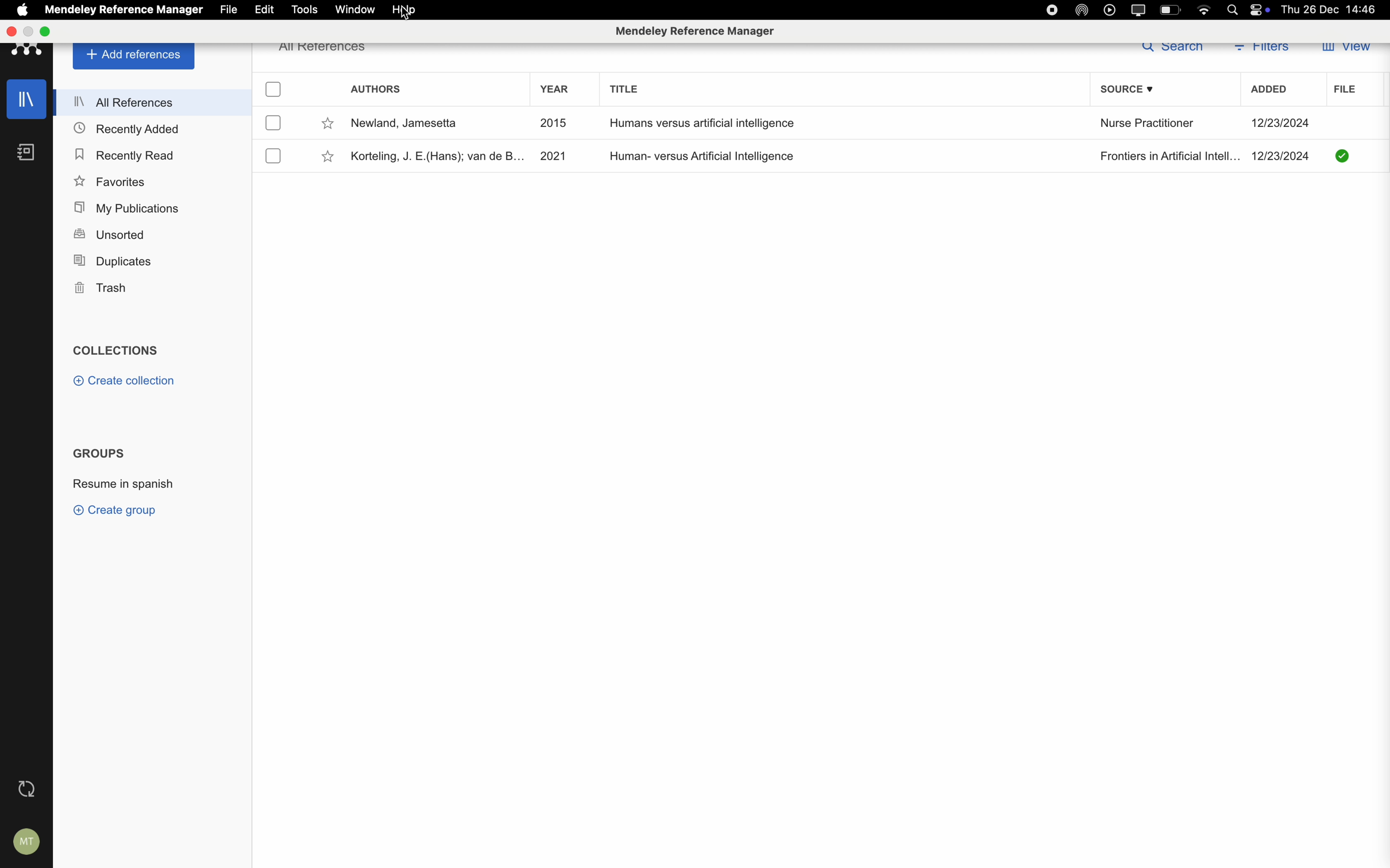 This screenshot has width=1390, height=868. Describe the element at coordinates (117, 350) in the screenshot. I see `Collections` at that location.